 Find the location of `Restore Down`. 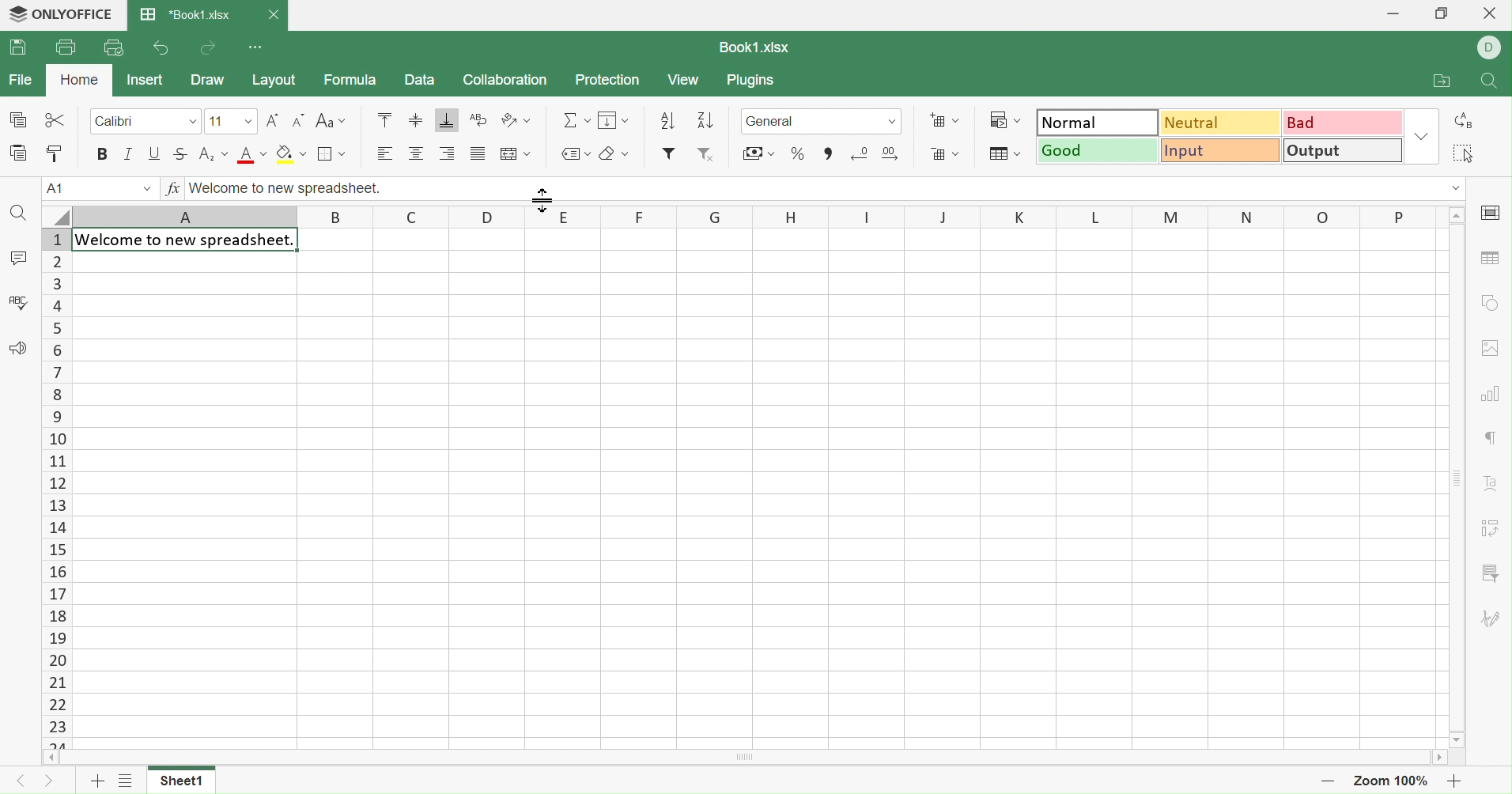

Restore Down is located at coordinates (1446, 13).